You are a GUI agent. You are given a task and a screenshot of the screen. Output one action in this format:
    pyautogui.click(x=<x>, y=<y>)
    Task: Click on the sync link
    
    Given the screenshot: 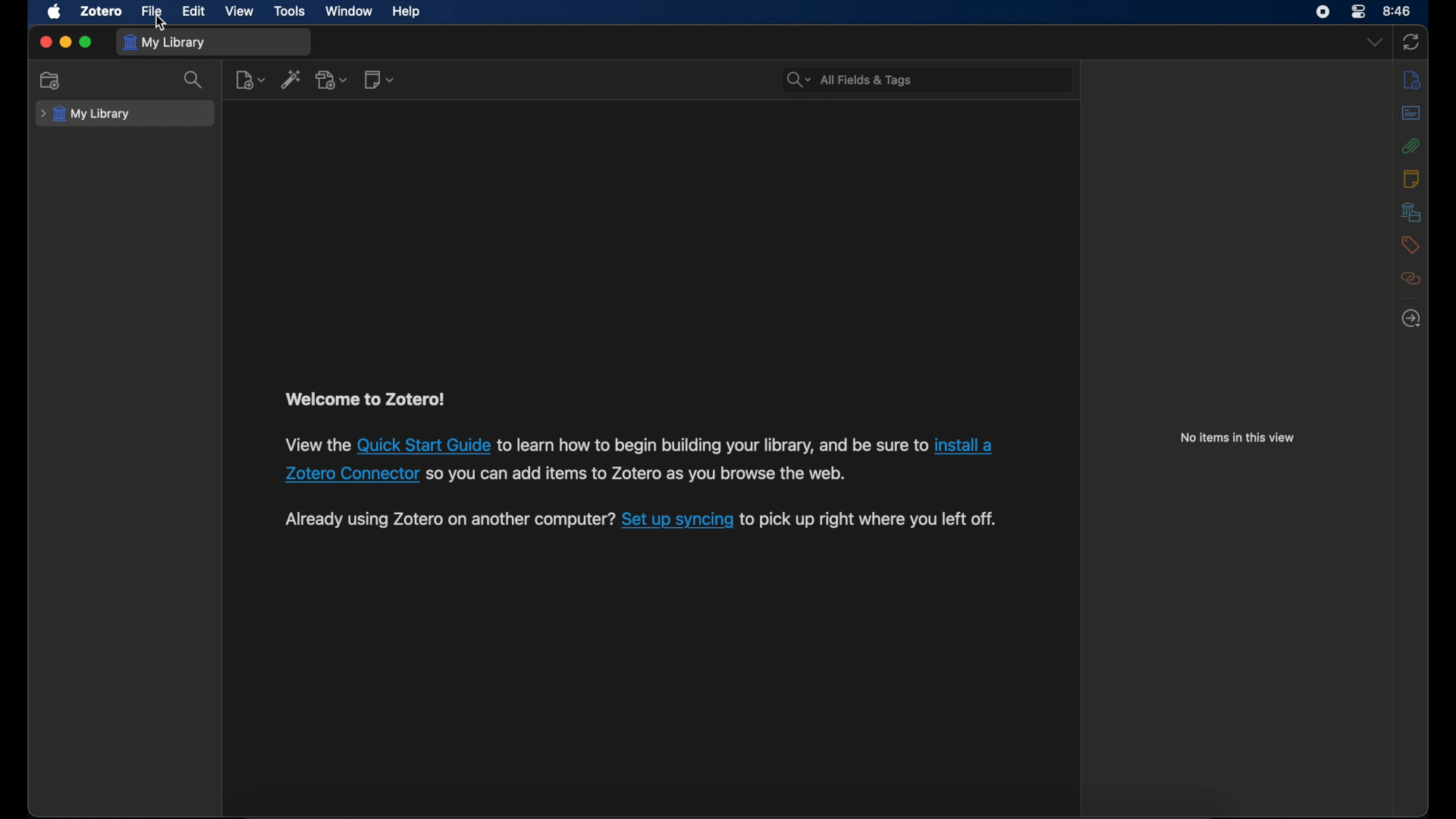 What is the action you would take?
    pyautogui.click(x=677, y=521)
    